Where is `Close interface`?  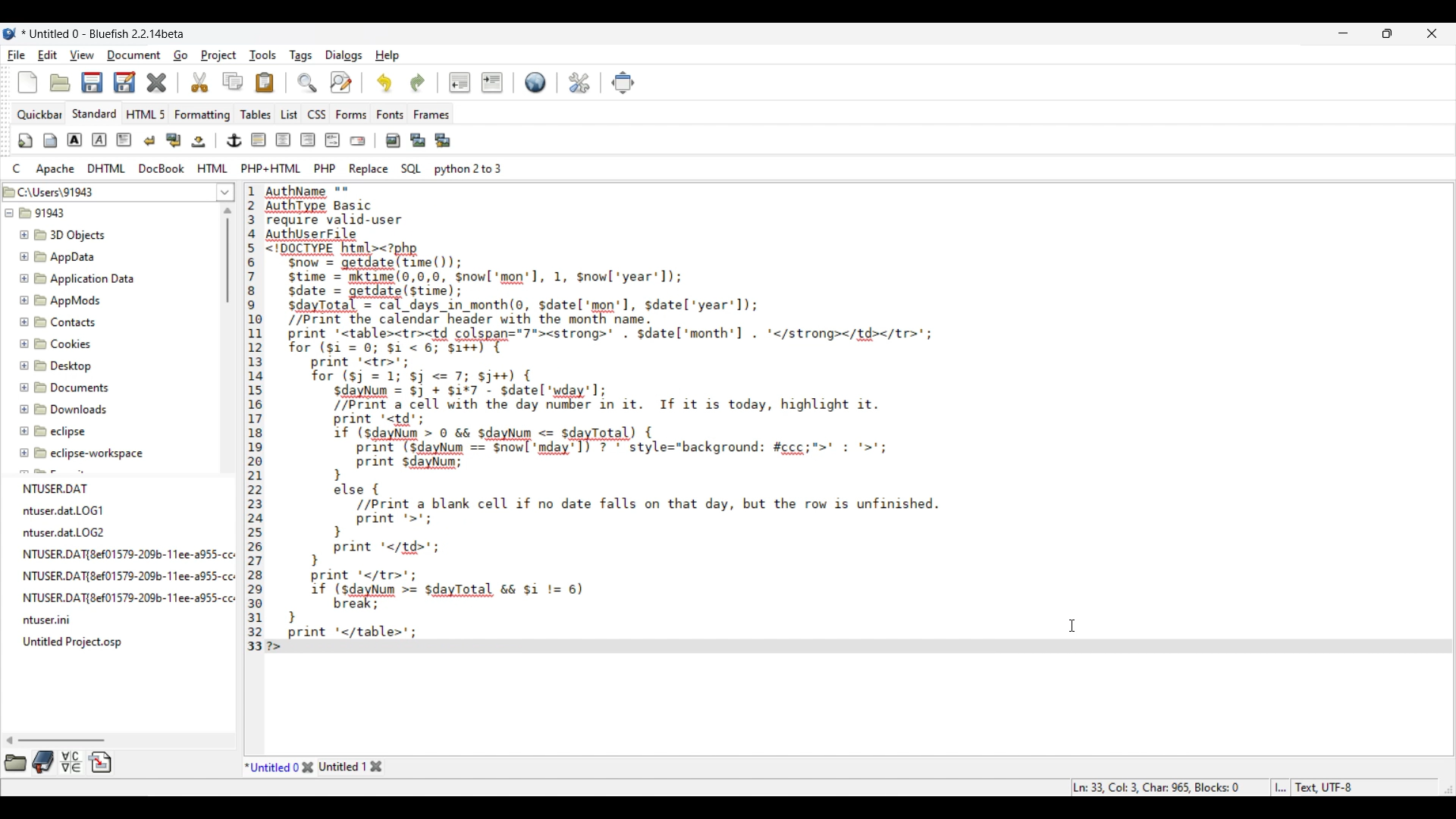 Close interface is located at coordinates (1432, 33).